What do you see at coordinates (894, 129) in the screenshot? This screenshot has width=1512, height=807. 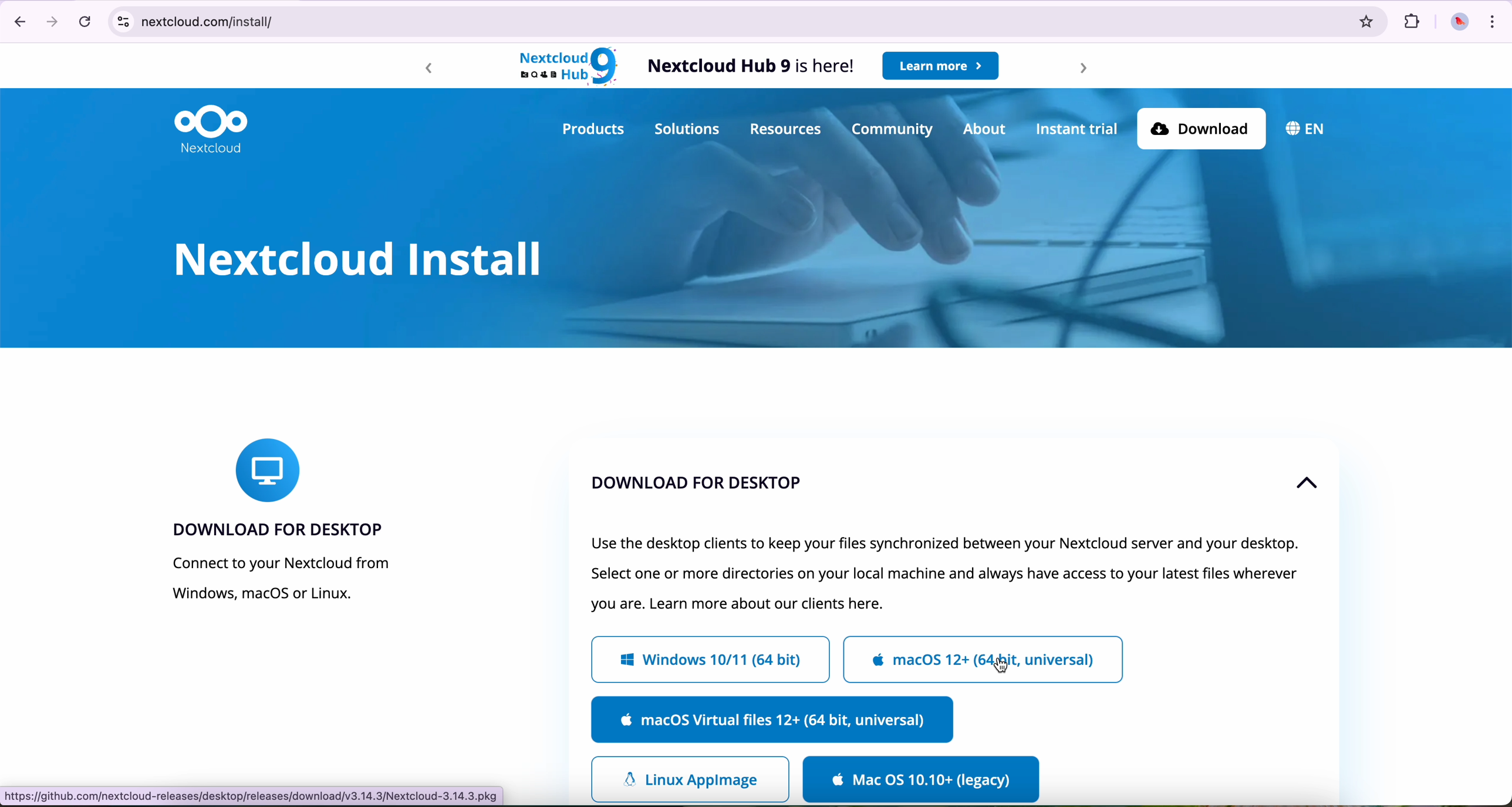 I see `community` at bounding box center [894, 129].